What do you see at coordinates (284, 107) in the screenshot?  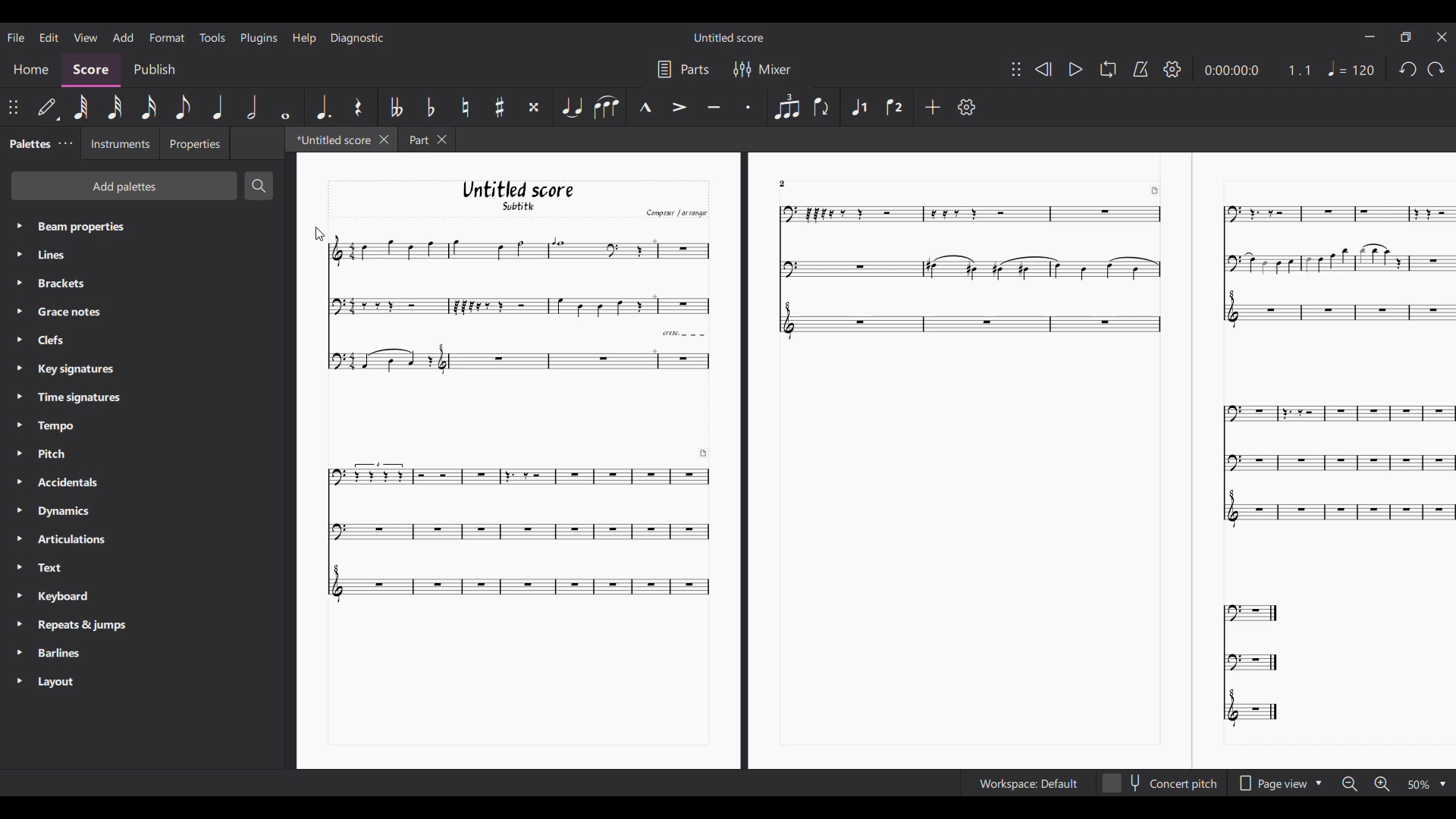 I see `Whole note` at bounding box center [284, 107].